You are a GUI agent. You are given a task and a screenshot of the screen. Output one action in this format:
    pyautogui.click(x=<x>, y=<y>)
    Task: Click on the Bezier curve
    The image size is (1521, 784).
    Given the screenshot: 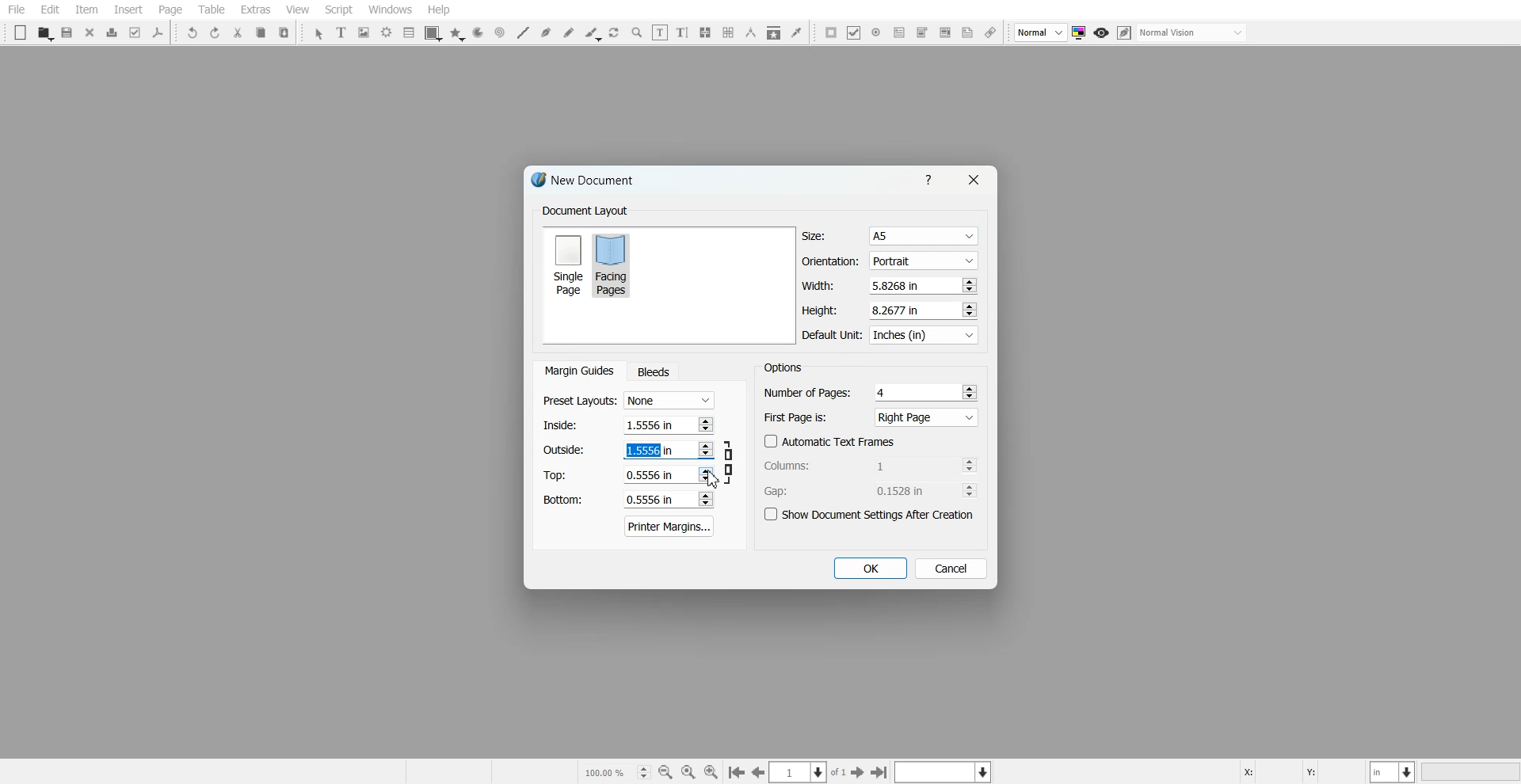 What is the action you would take?
    pyautogui.click(x=546, y=32)
    